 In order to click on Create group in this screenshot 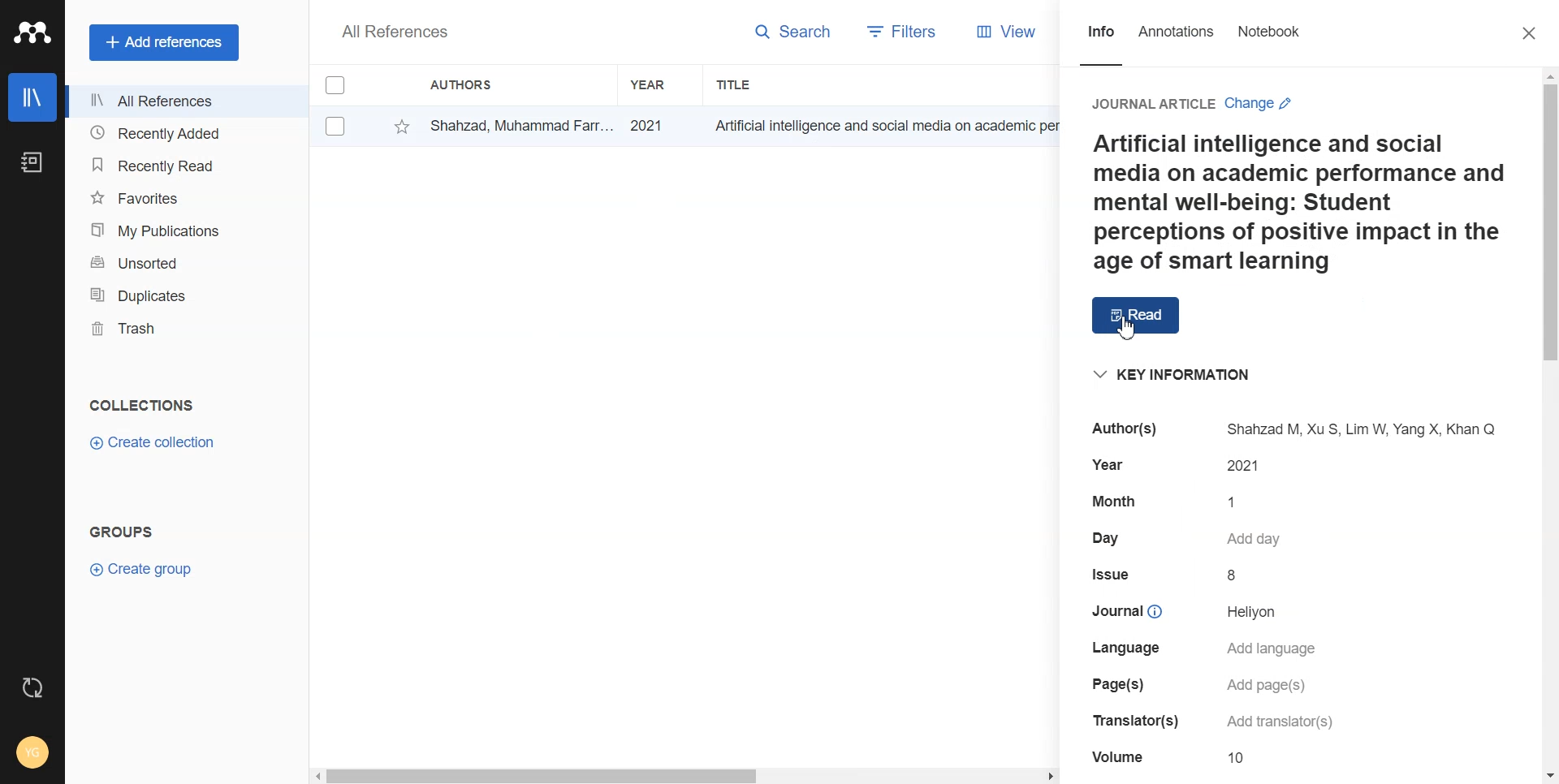, I will do `click(143, 569)`.